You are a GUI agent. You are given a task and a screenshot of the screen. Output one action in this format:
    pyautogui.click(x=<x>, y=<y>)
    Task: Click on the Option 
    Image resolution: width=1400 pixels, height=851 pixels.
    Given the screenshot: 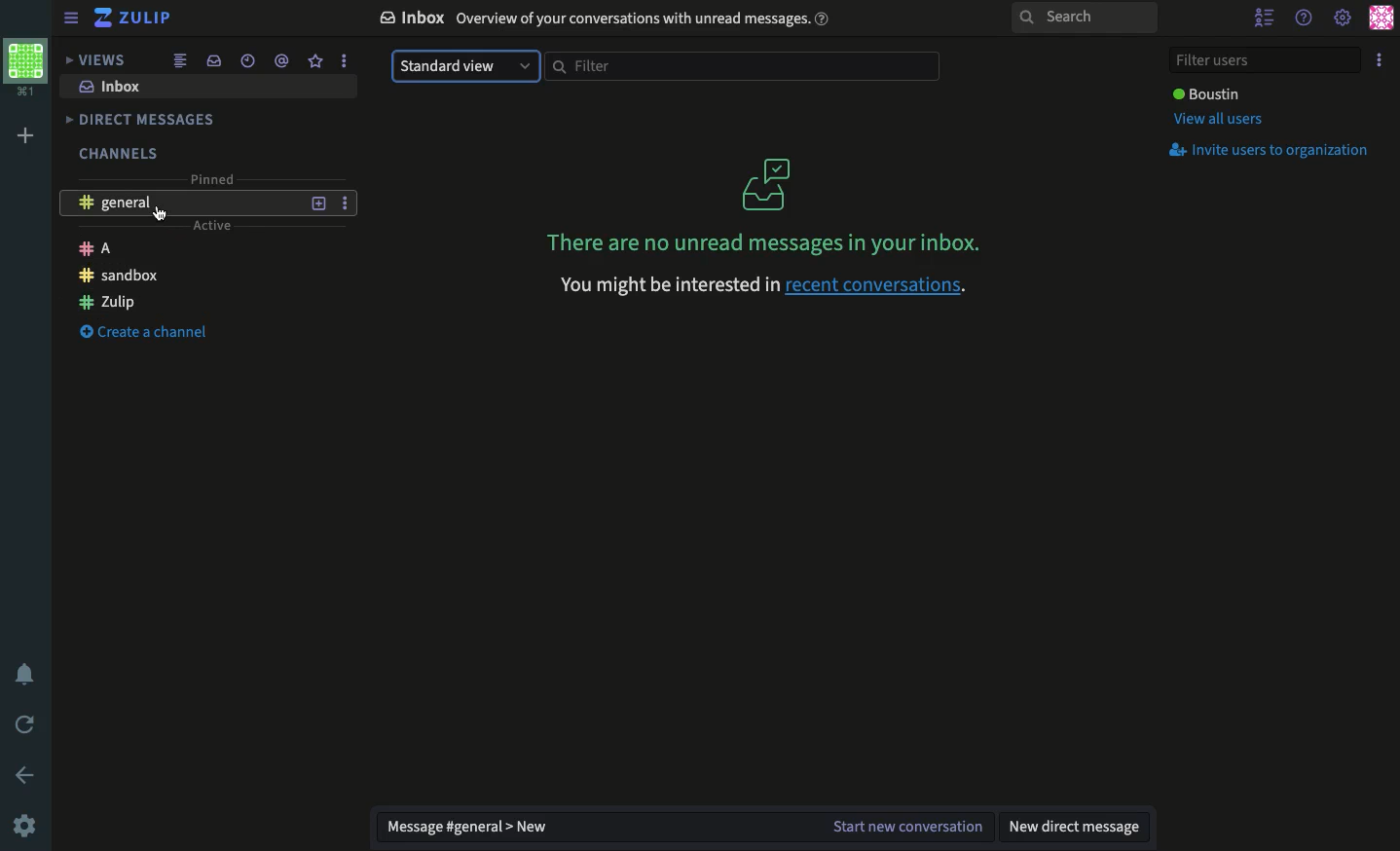 What is the action you would take?
    pyautogui.click(x=1378, y=60)
    